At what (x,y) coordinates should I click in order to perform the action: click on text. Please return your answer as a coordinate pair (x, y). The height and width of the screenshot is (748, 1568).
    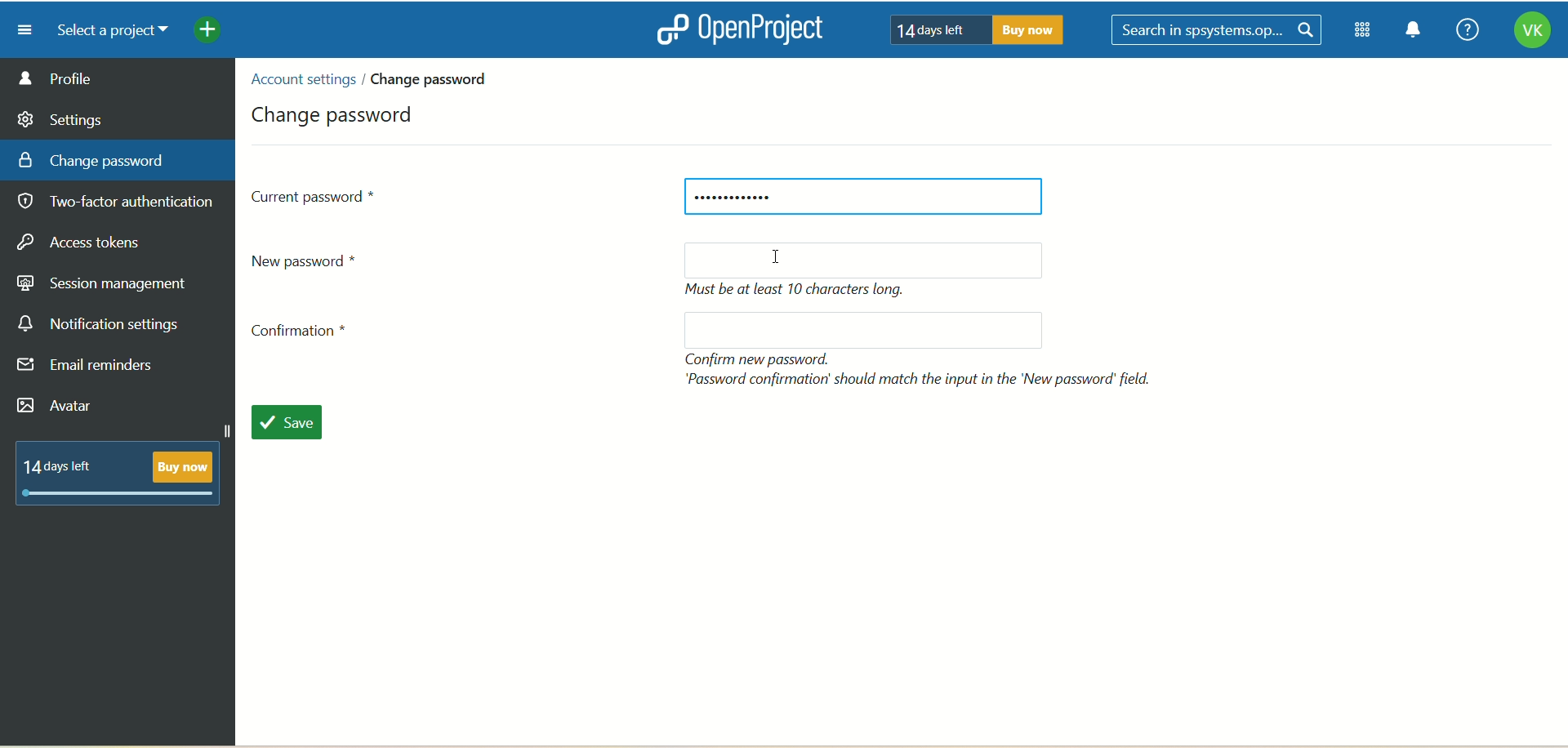
    Looking at the image, I should click on (801, 291).